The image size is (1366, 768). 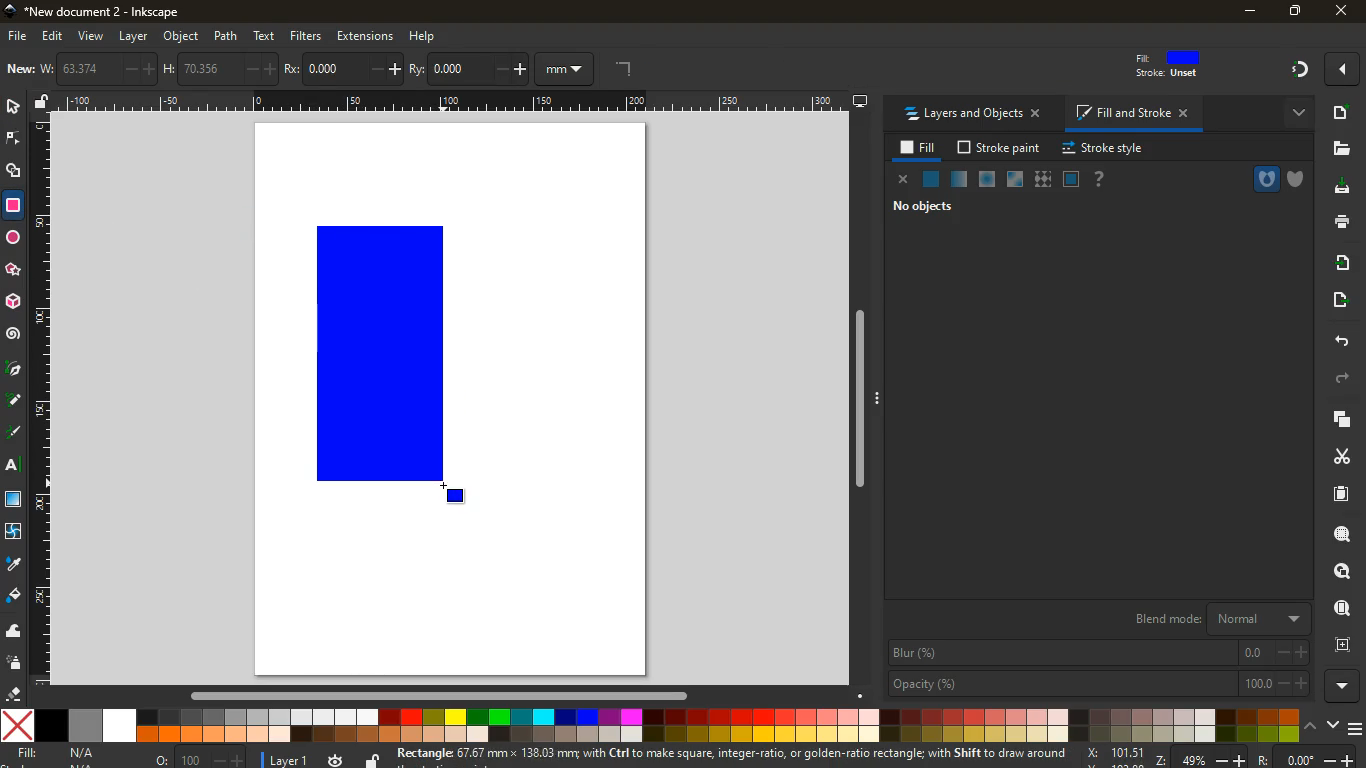 What do you see at coordinates (1336, 301) in the screenshot?
I see `send` at bounding box center [1336, 301].